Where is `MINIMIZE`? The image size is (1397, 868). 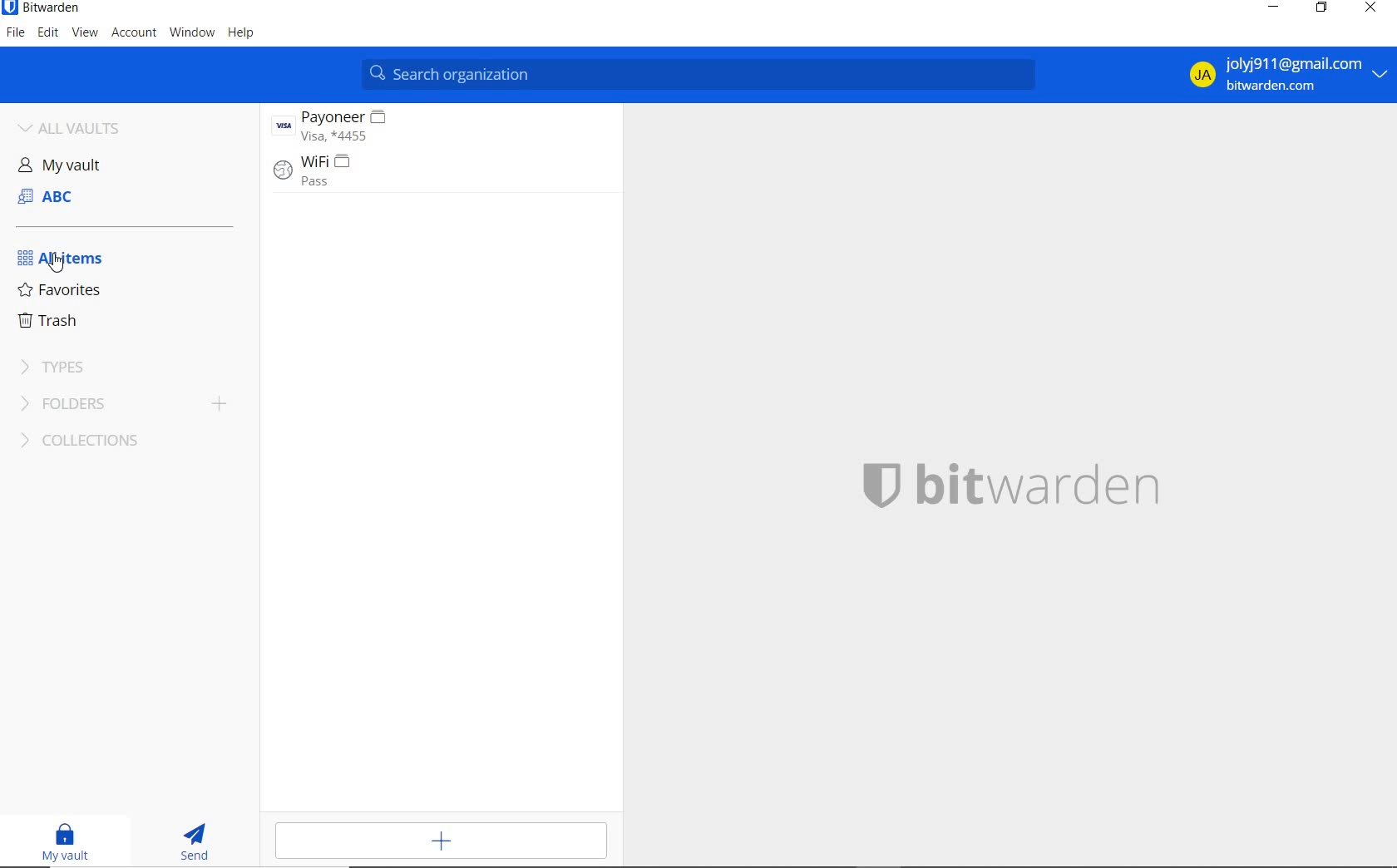
MINIMIZE is located at coordinates (1271, 8).